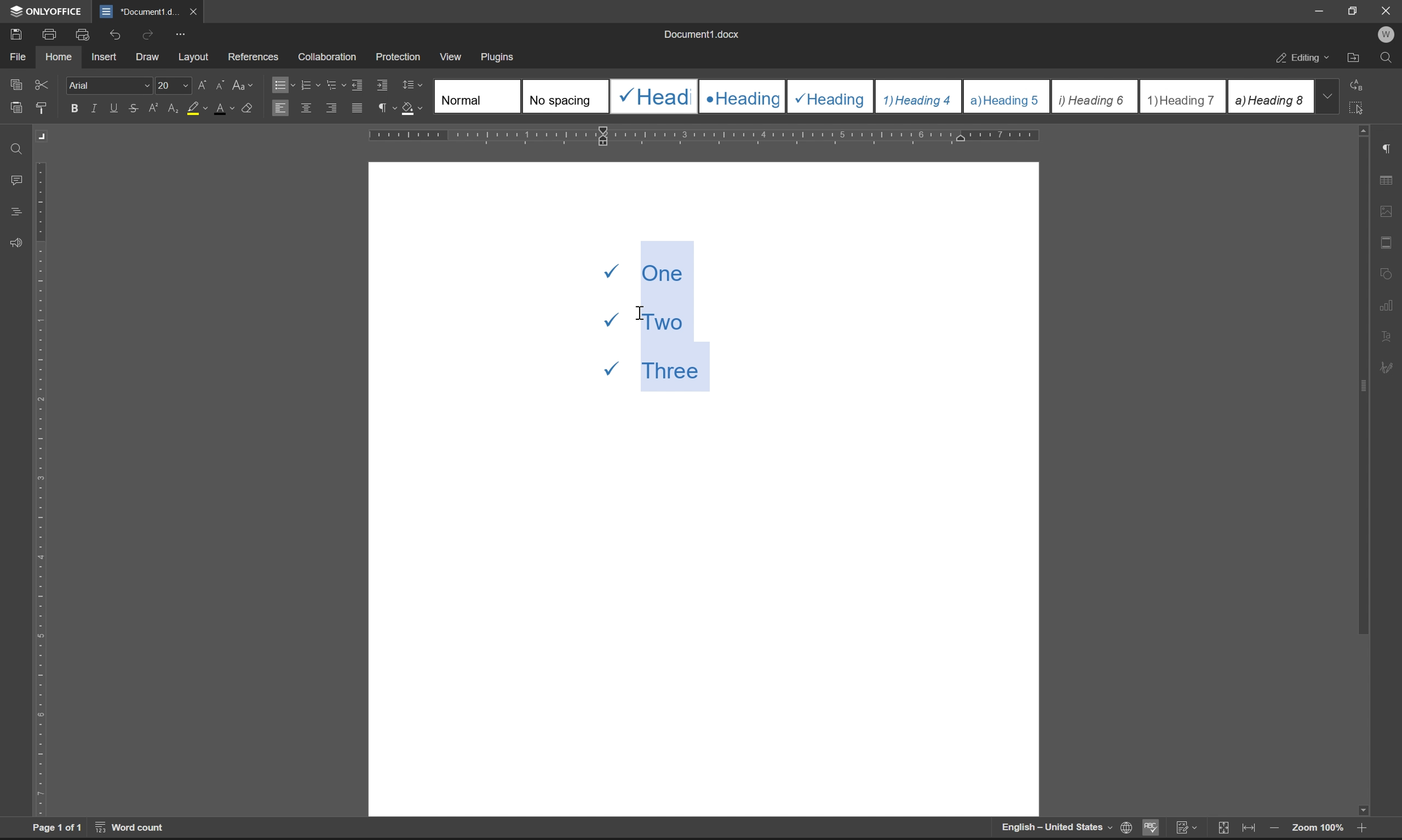 This screenshot has width=1402, height=840. Describe the element at coordinates (280, 107) in the screenshot. I see `align left` at that location.